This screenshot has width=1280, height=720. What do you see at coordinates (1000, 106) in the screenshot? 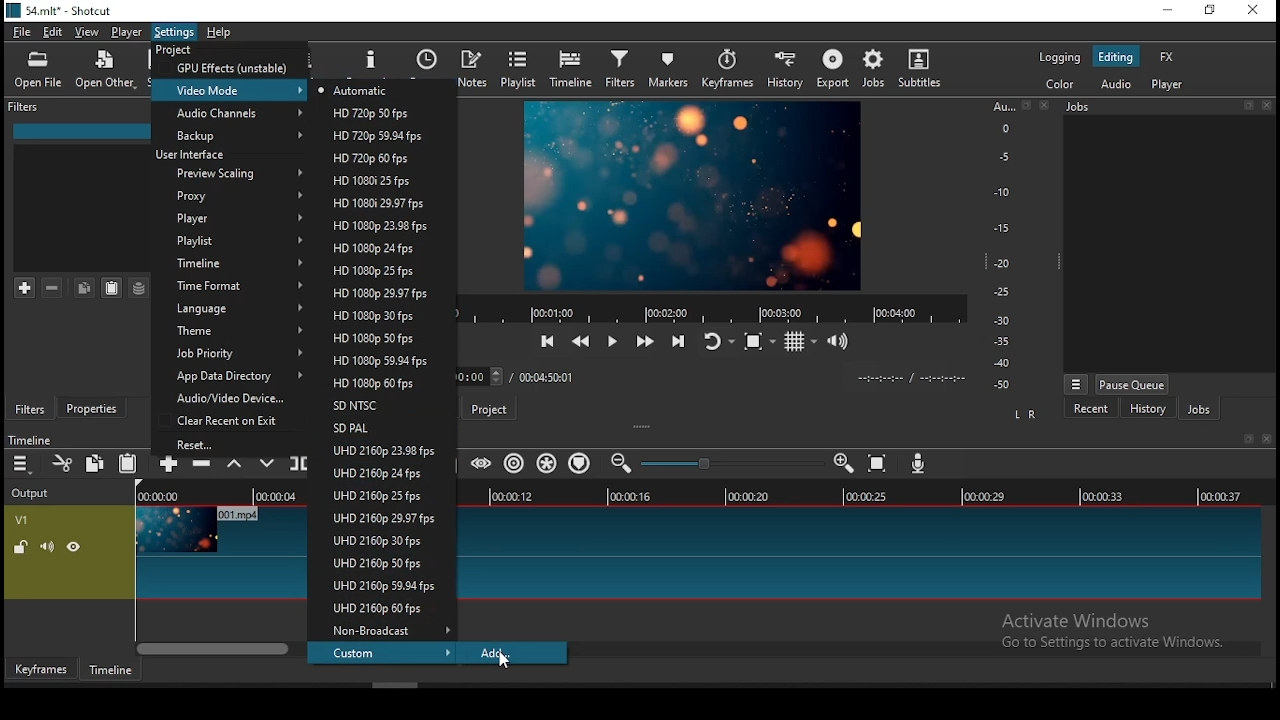
I see `Au...` at bounding box center [1000, 106].